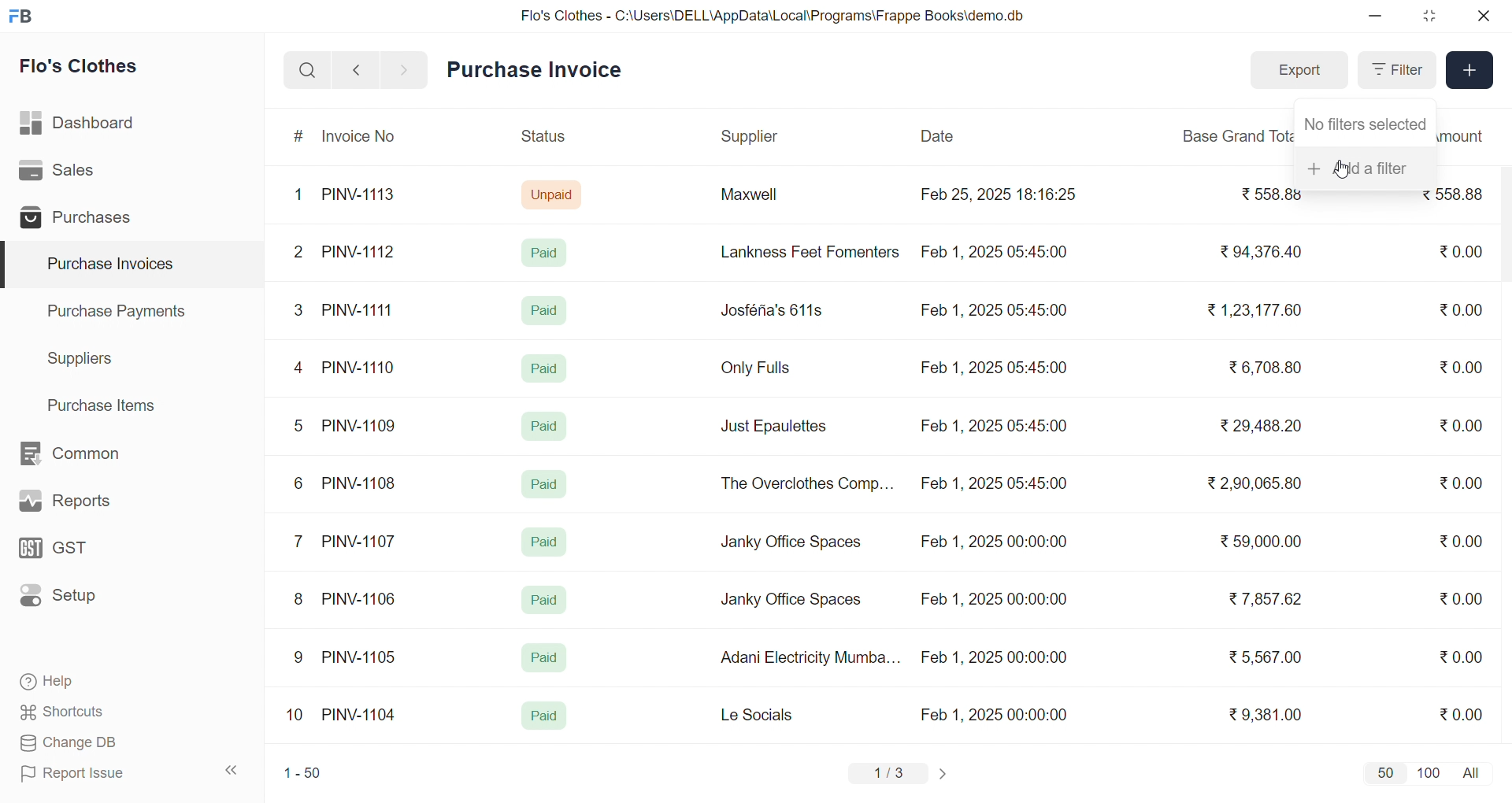 The width and height of the screenshot is (1512, 803). Describe the element at coordinates (82, 601) in the screenshot. I see `Setup` at that location.